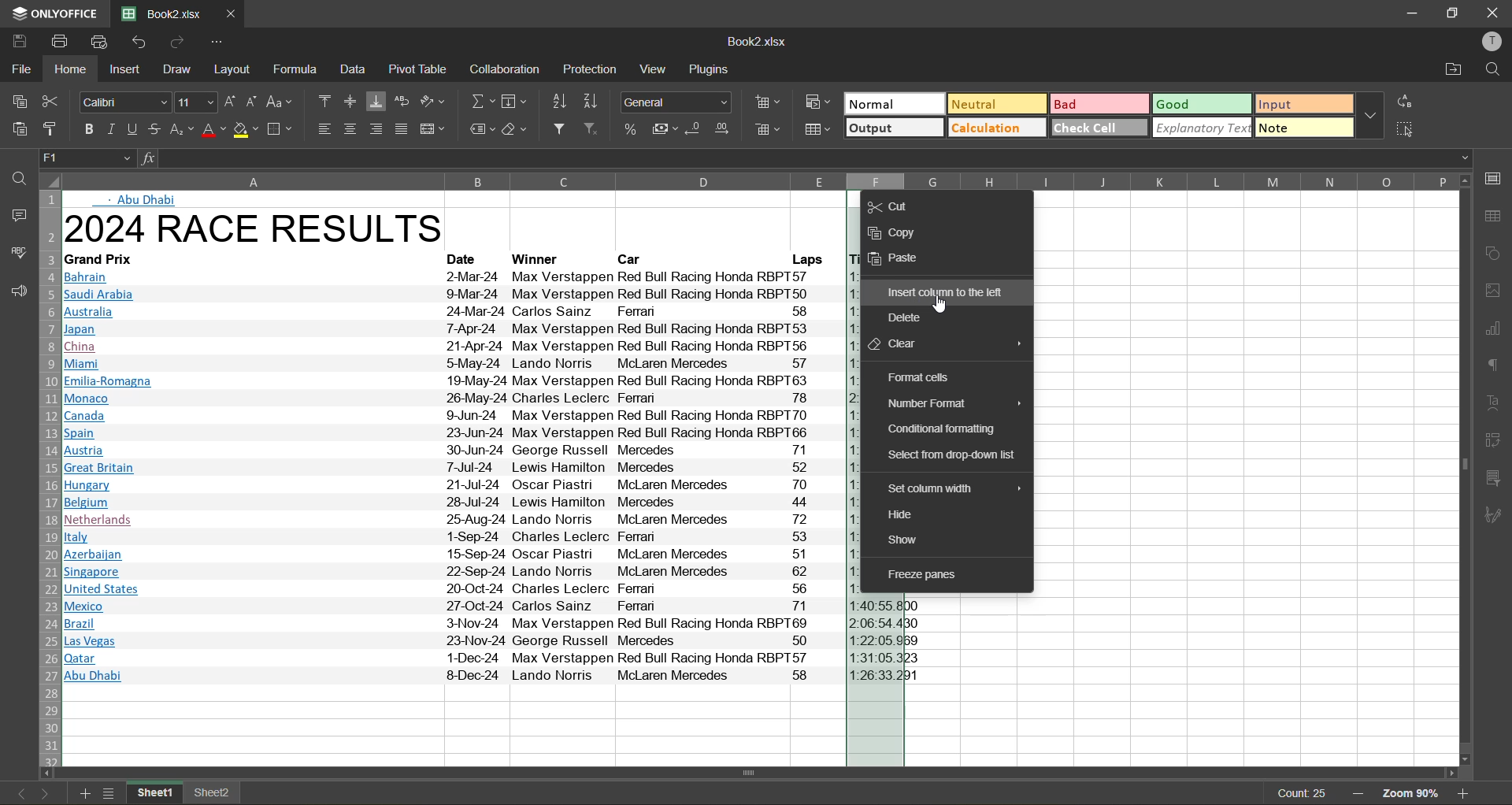 This screenshot has height=805, width=1512. I want to click on number format, so click(676, 101).